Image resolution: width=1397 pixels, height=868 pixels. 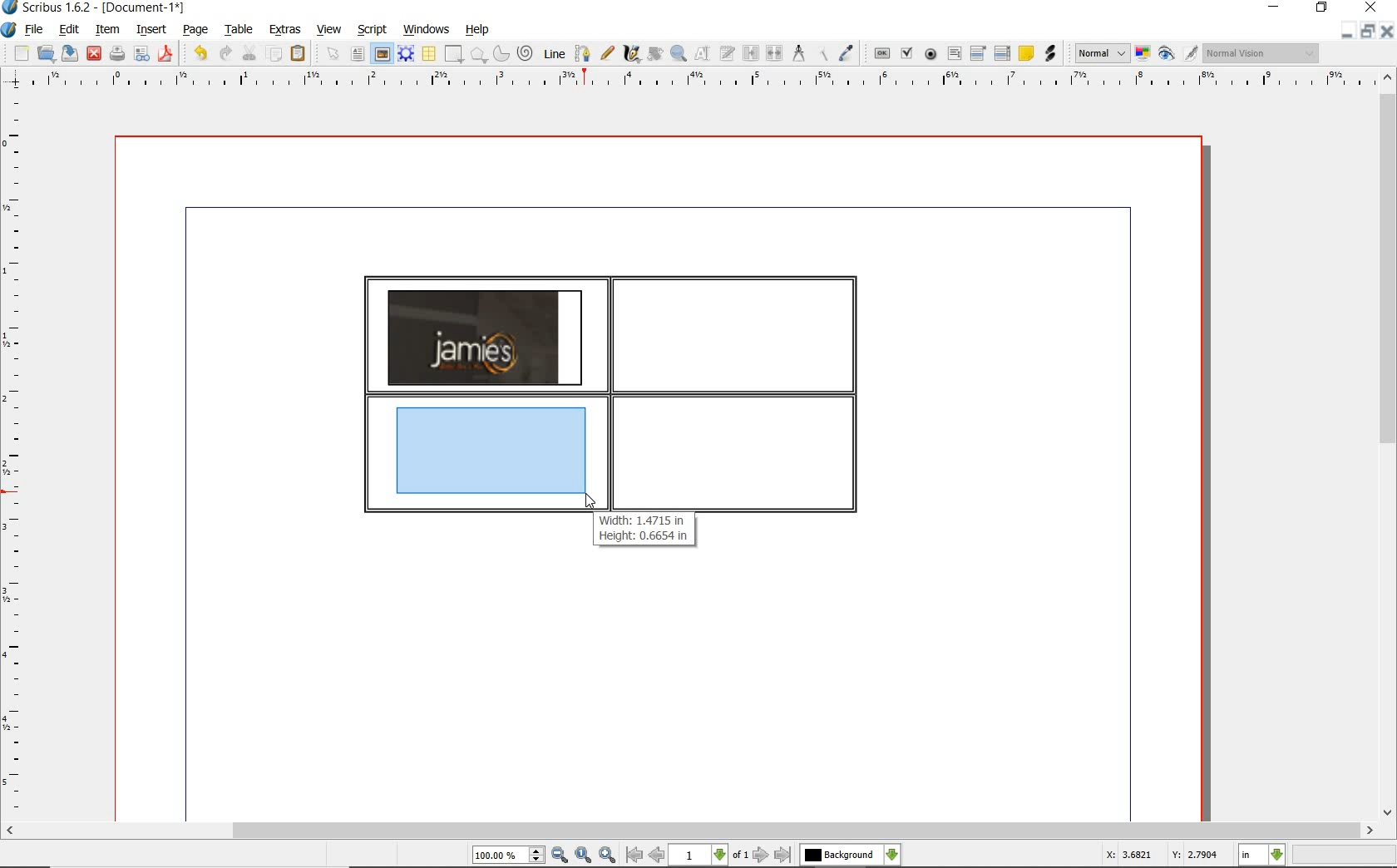 I want to click on table, so click(x=240, y=31).